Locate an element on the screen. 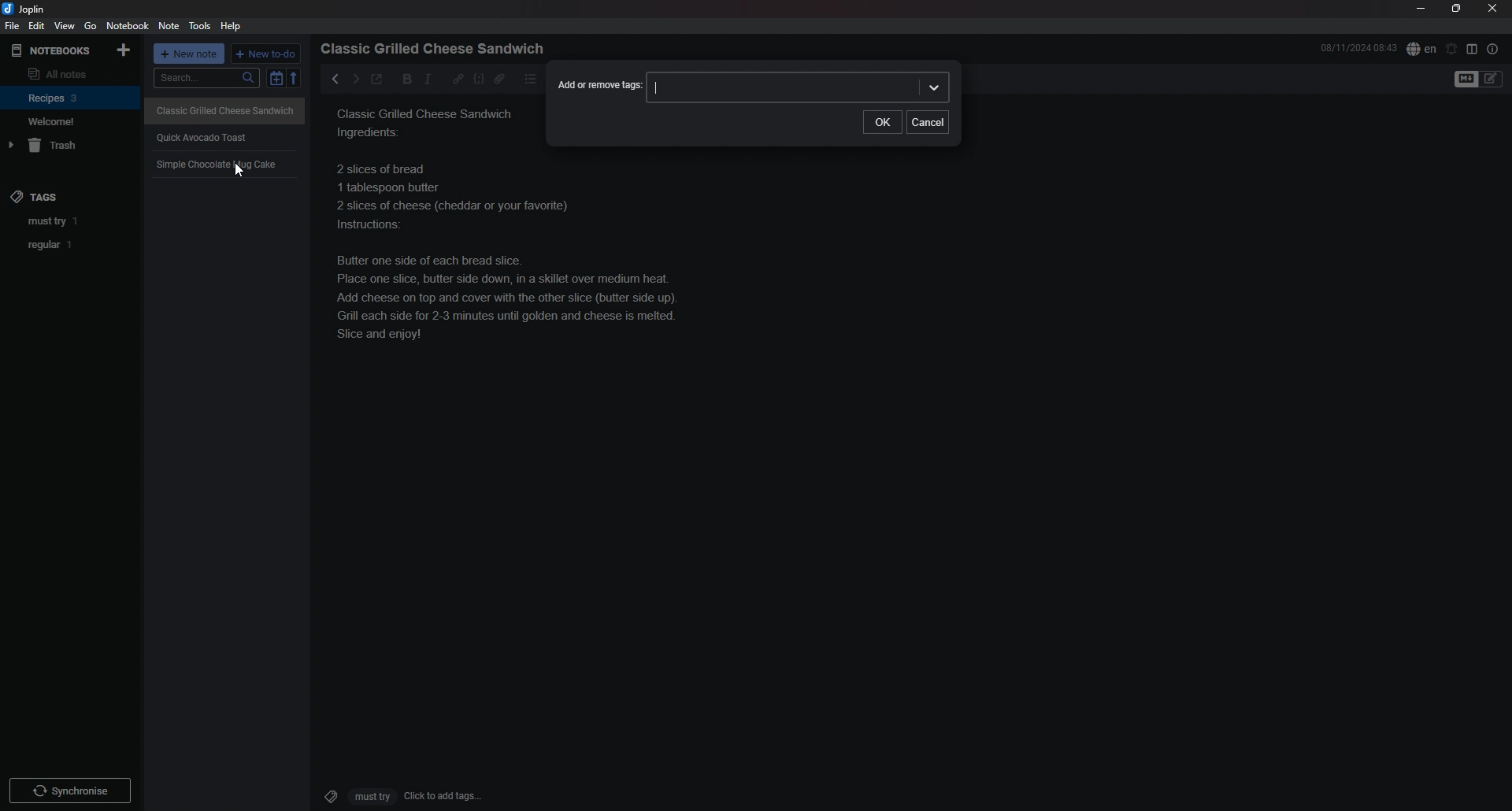 The image size is (1512, 811). search is located at coordinates (206, 78).